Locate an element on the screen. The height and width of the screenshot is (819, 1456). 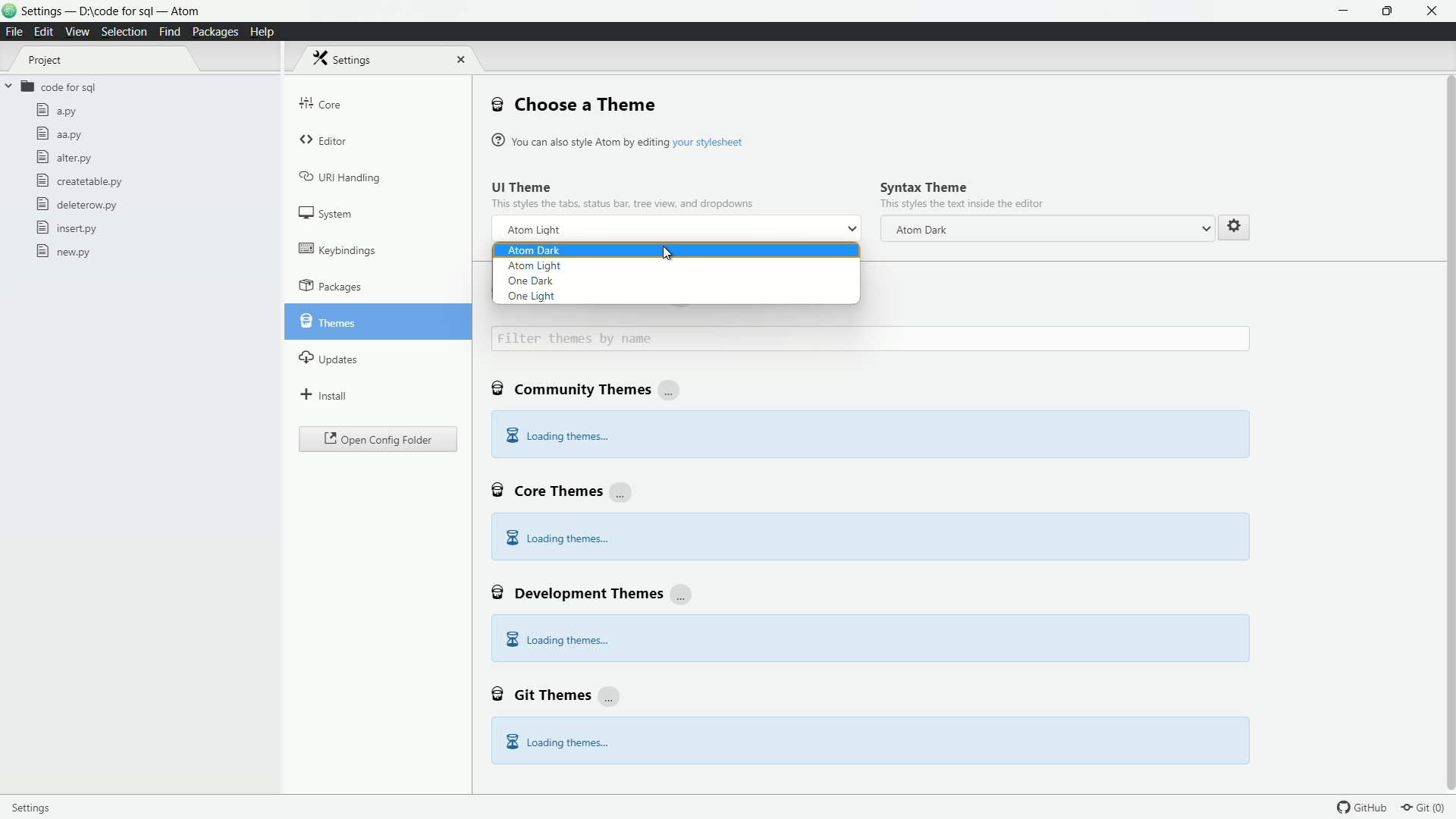
git is located at coordinates (1429, 807).